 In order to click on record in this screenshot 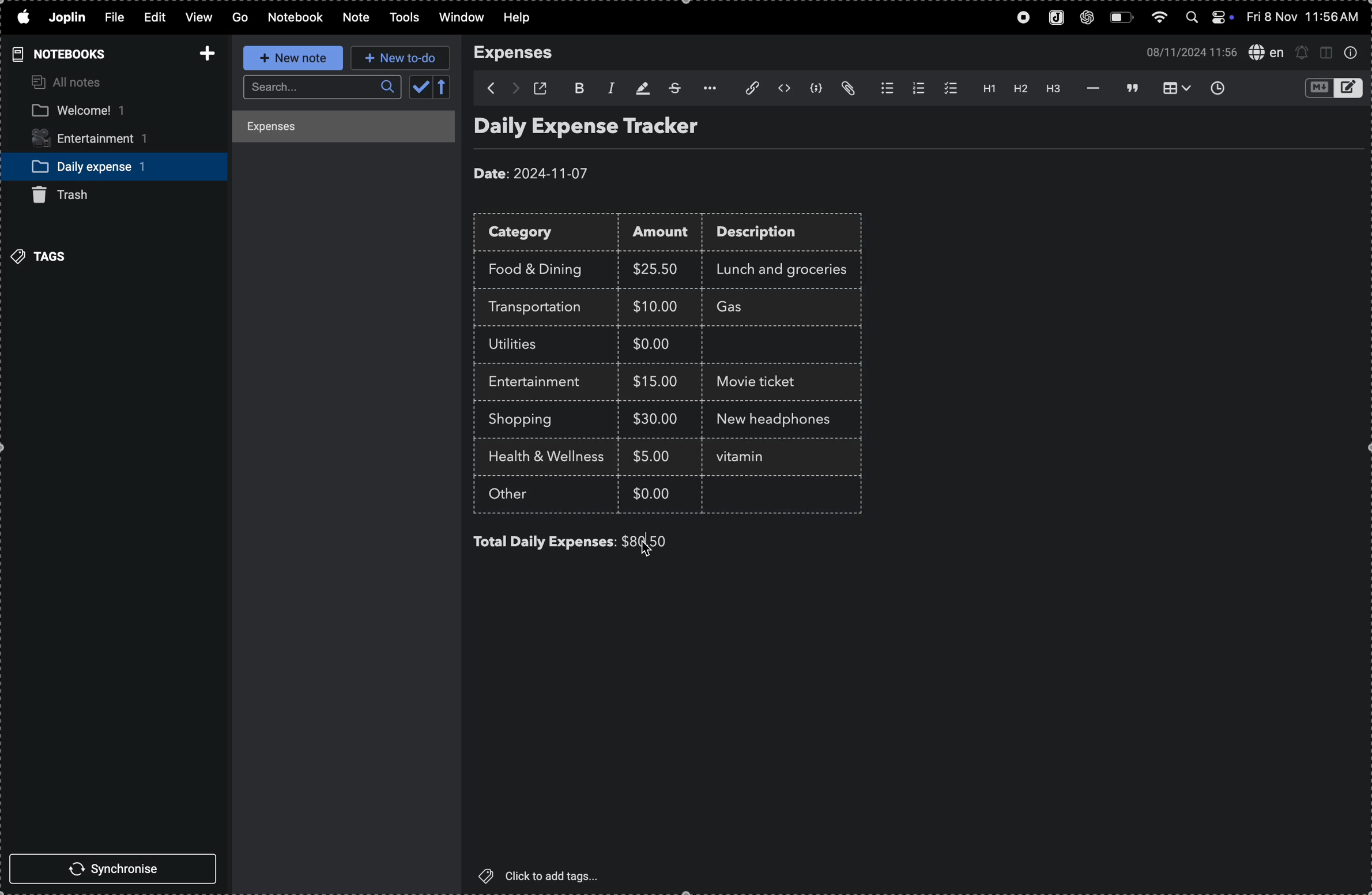, I will do `click(1019, 18)`.